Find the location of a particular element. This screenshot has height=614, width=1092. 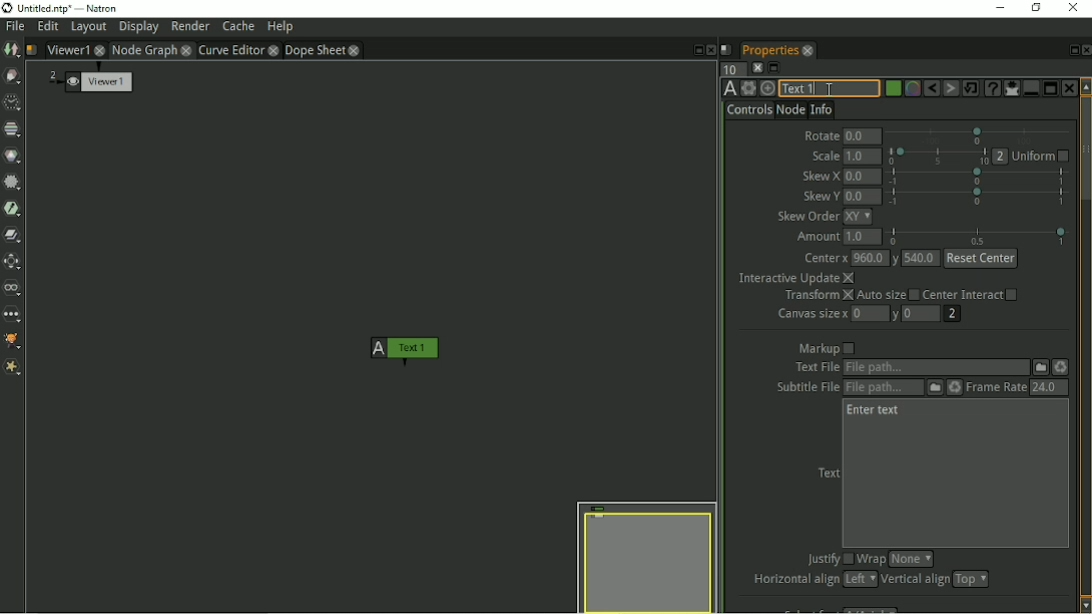

Vertical align is located at coordinates (914, 580).